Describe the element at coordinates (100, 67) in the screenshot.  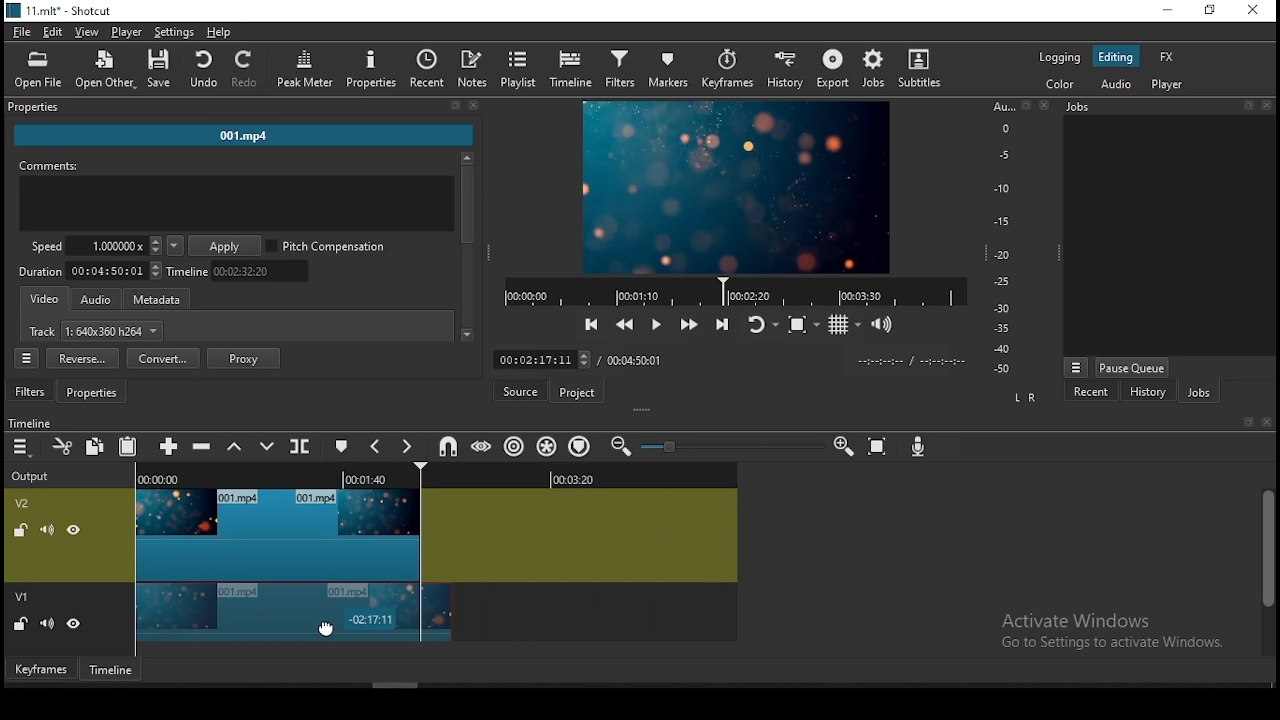
I see `open other` at that location.